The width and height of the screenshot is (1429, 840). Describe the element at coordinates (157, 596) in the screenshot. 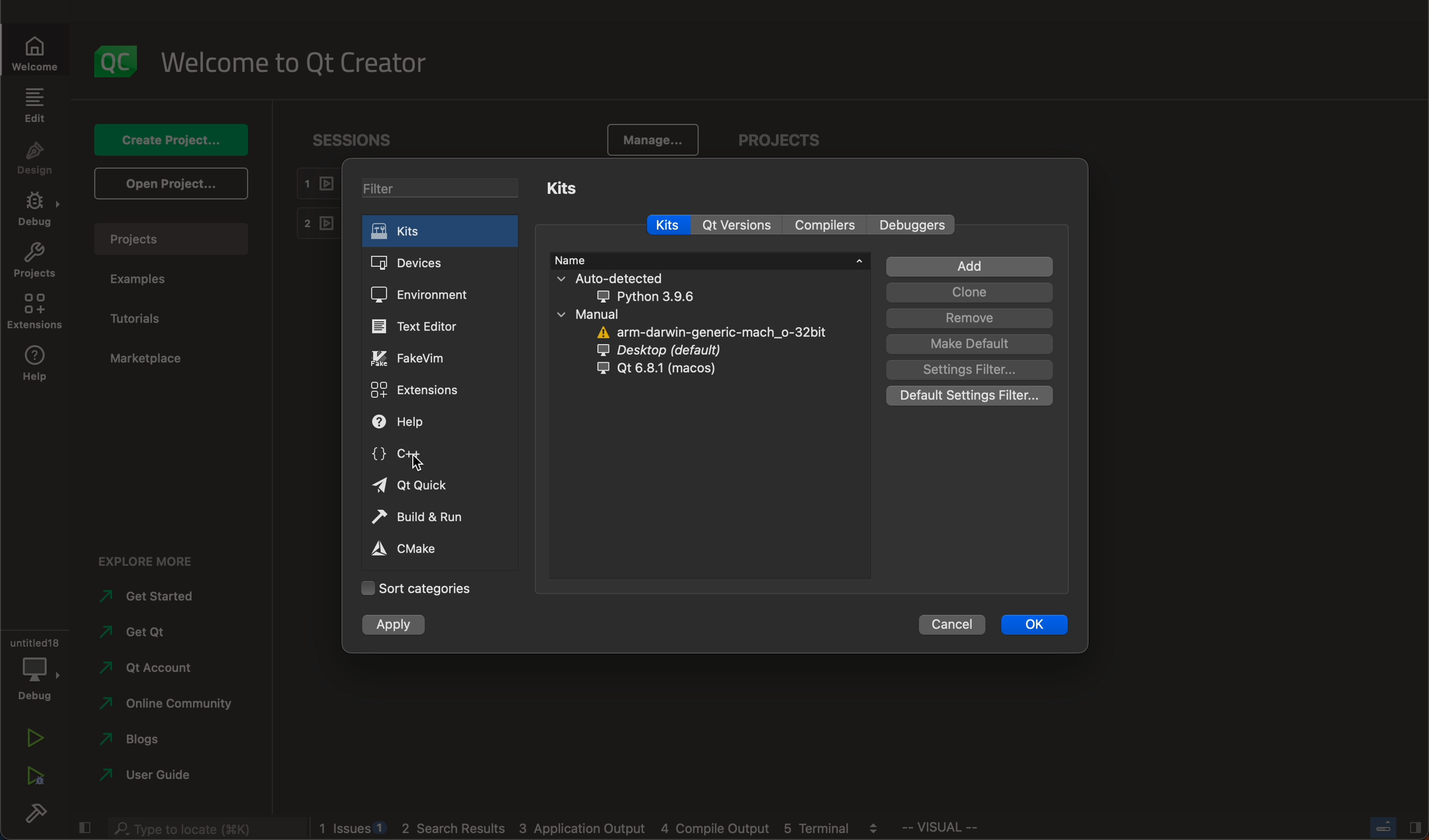

I see `started` at that location.